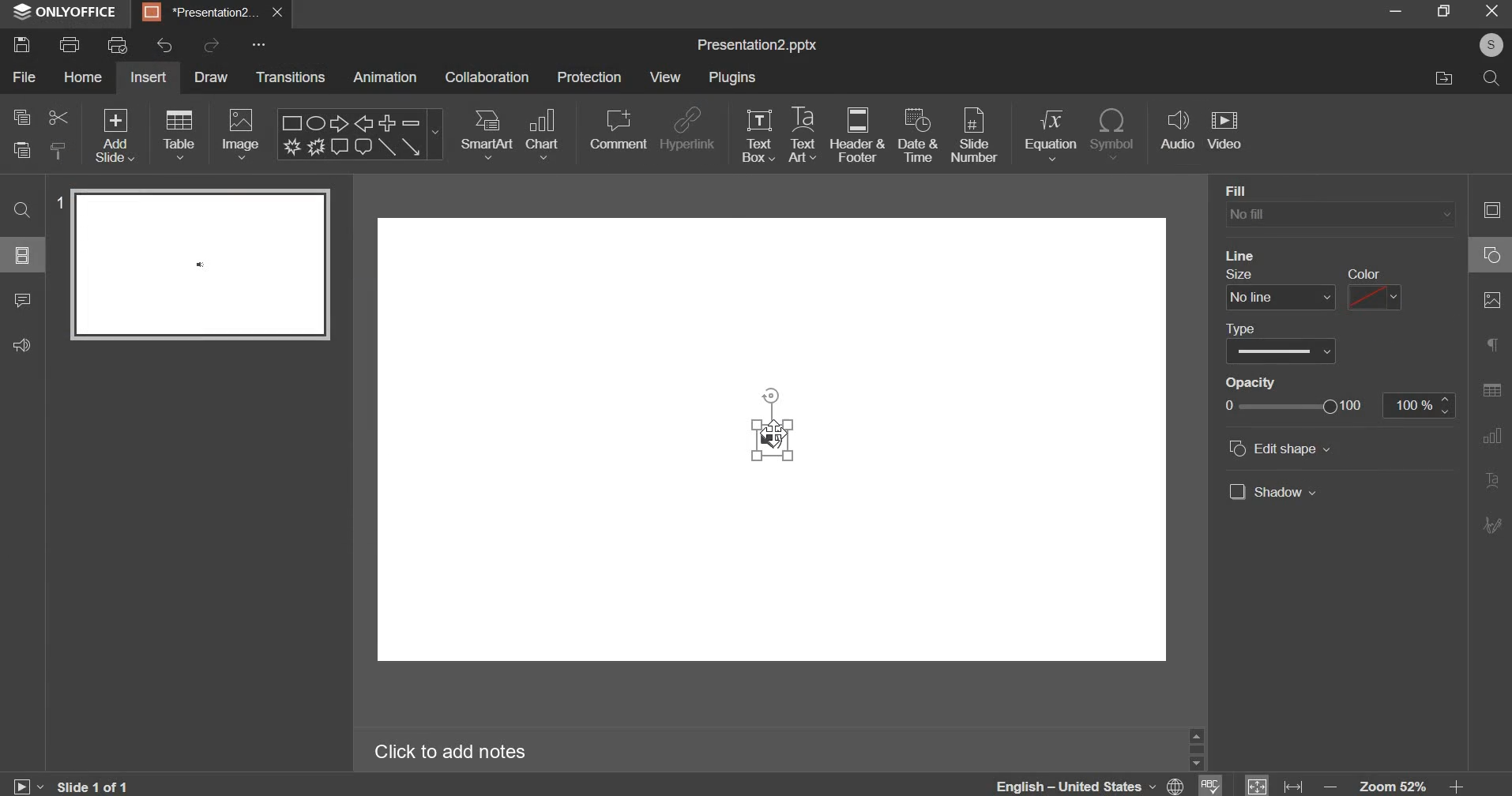 This screenshot has width=1512, height=796. What do you see at coordinates (362, 135) in the screenshot?
I see `shapes` at bounding box center [362, 135].